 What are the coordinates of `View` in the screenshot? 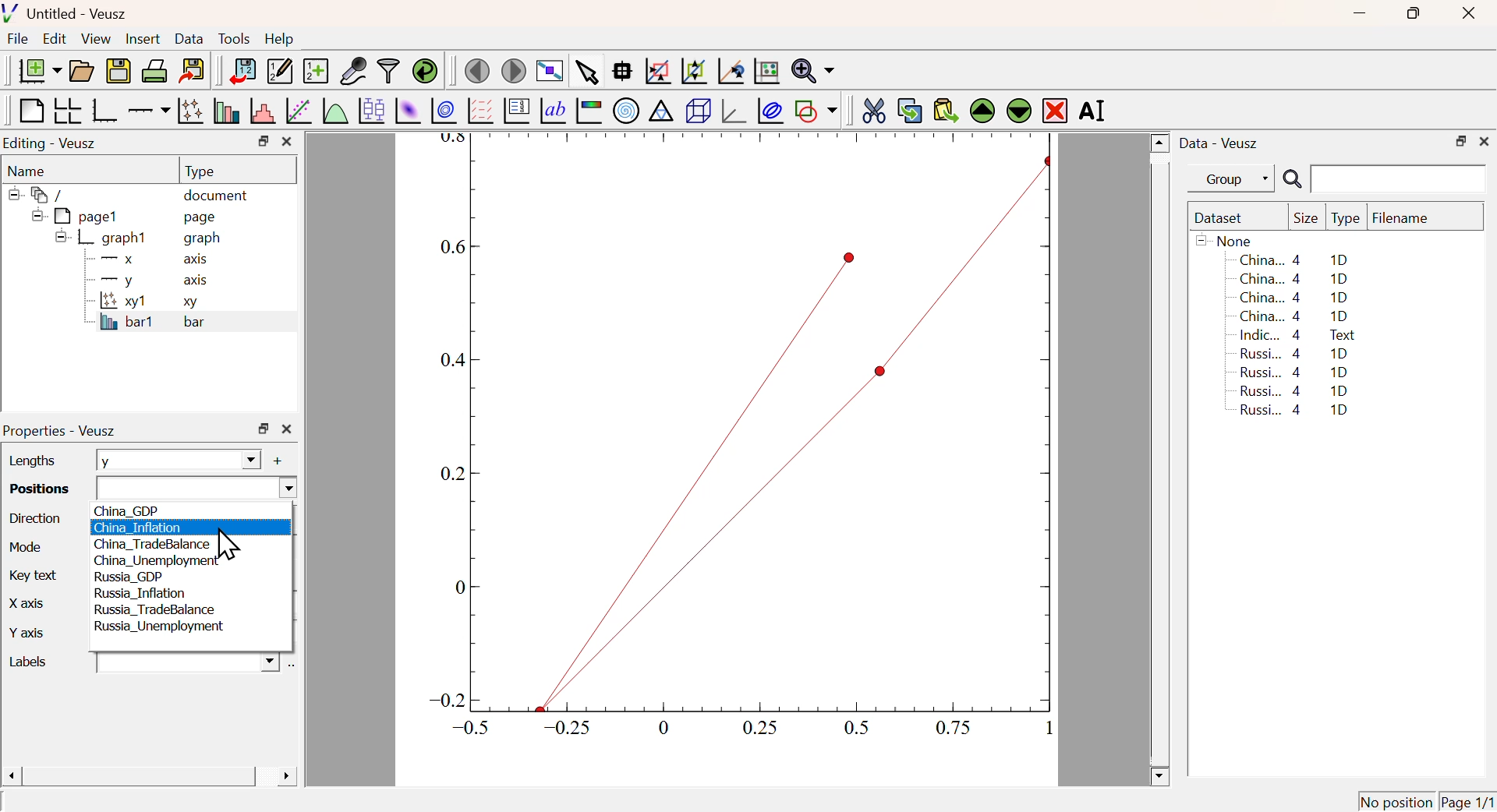 It's located at (95, 40).